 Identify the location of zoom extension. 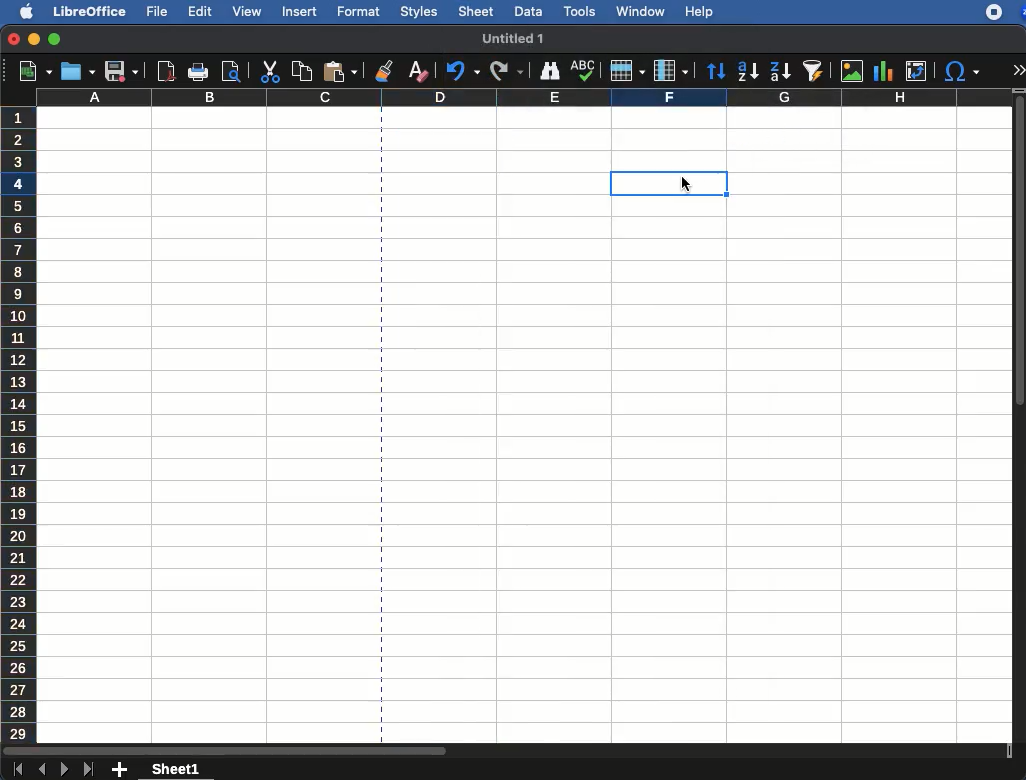
(1020, 12).